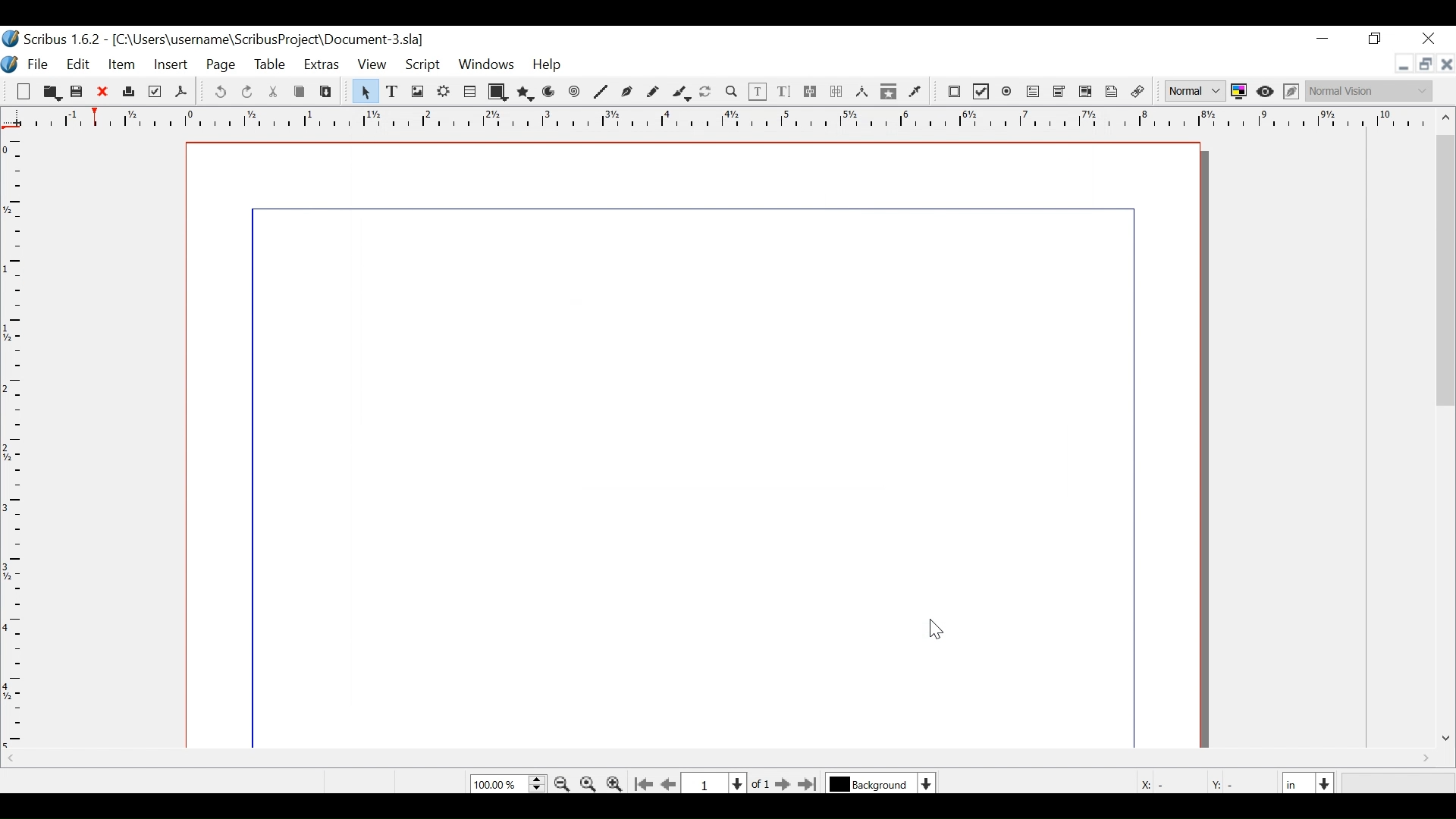  I want to click on , so click(12, 458).